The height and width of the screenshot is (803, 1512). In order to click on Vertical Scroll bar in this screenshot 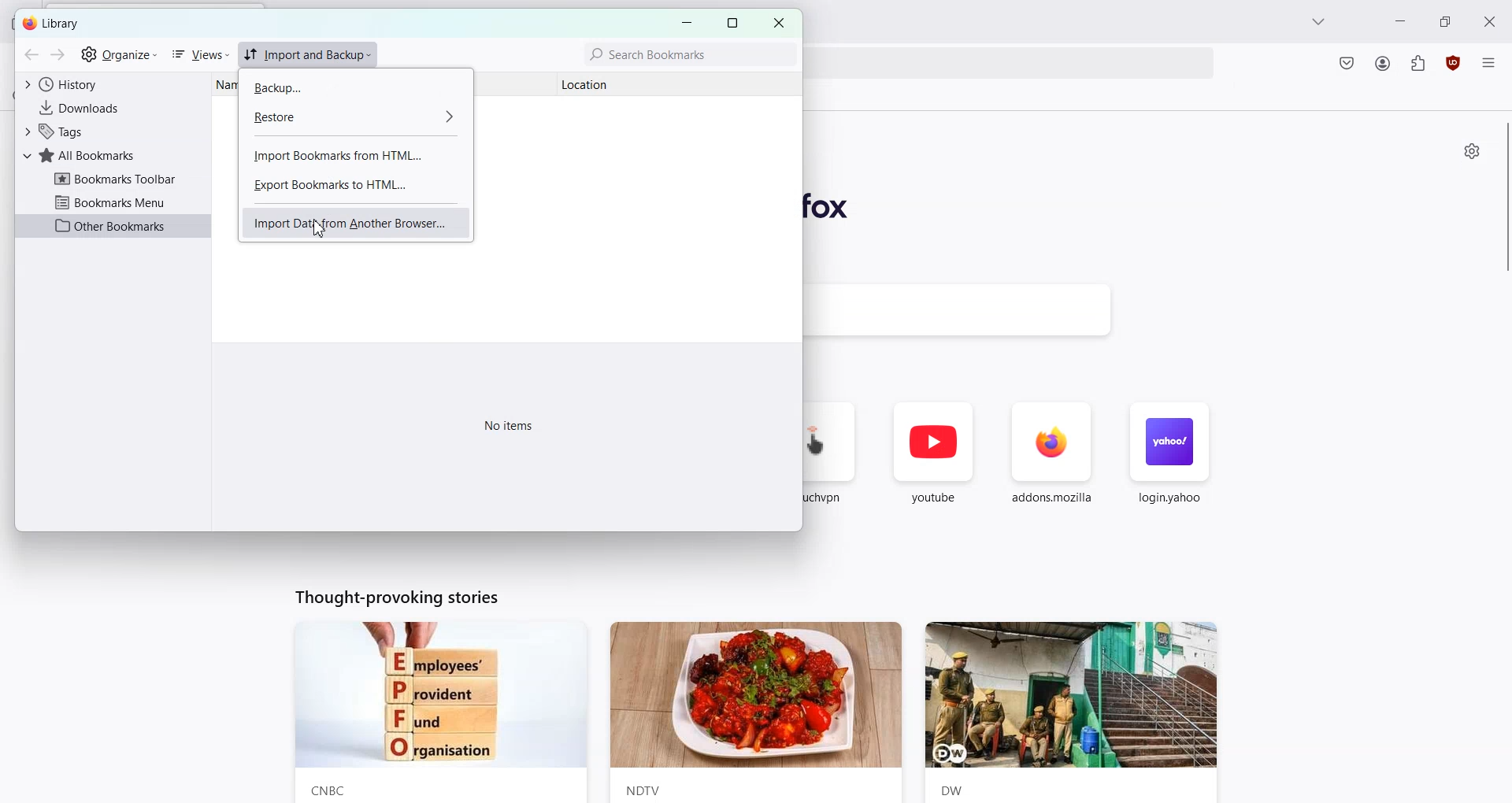, I will do `click(1503, 200)`.